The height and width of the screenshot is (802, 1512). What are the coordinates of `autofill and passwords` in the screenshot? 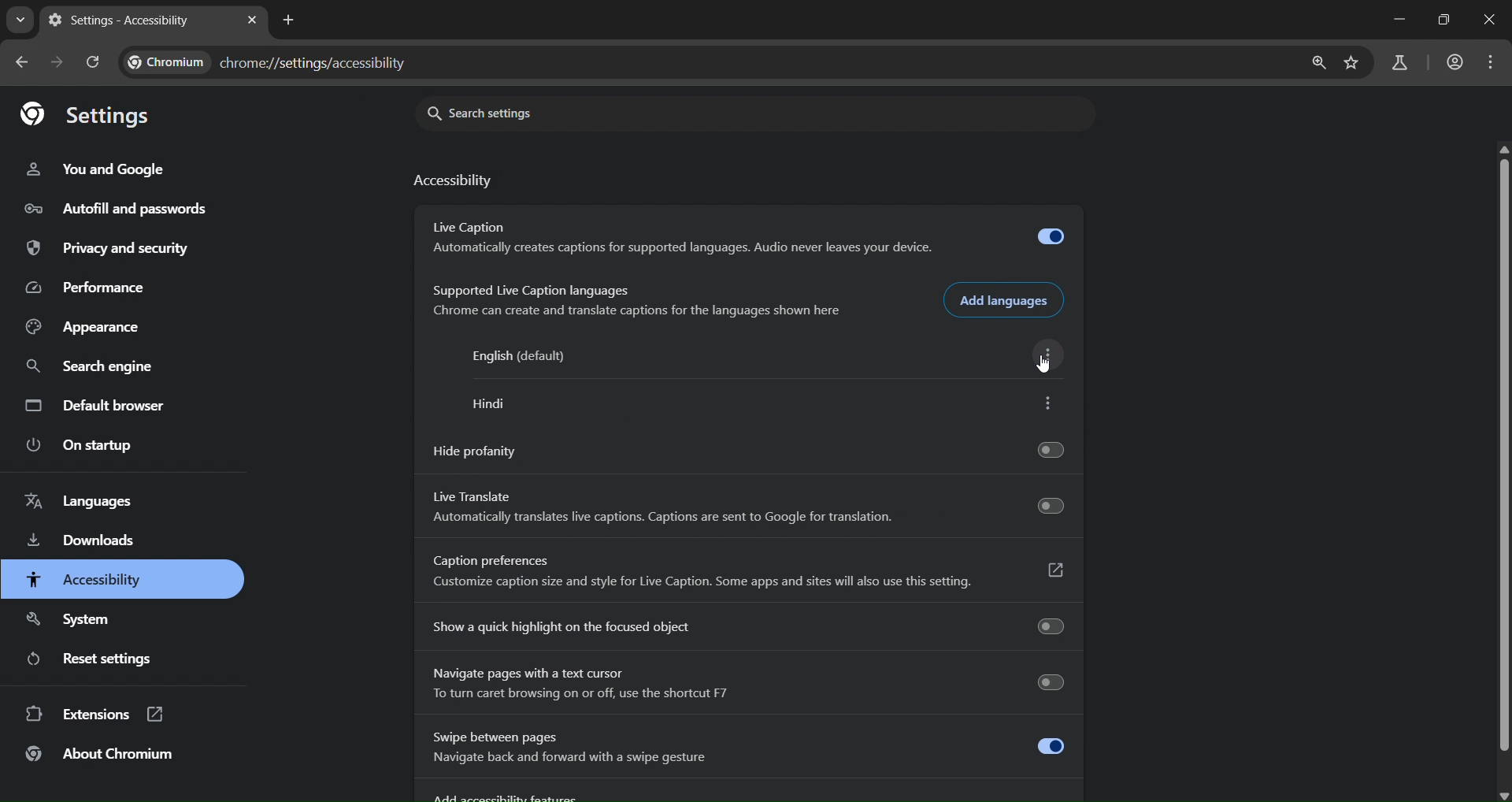 It's located at (124, 208).